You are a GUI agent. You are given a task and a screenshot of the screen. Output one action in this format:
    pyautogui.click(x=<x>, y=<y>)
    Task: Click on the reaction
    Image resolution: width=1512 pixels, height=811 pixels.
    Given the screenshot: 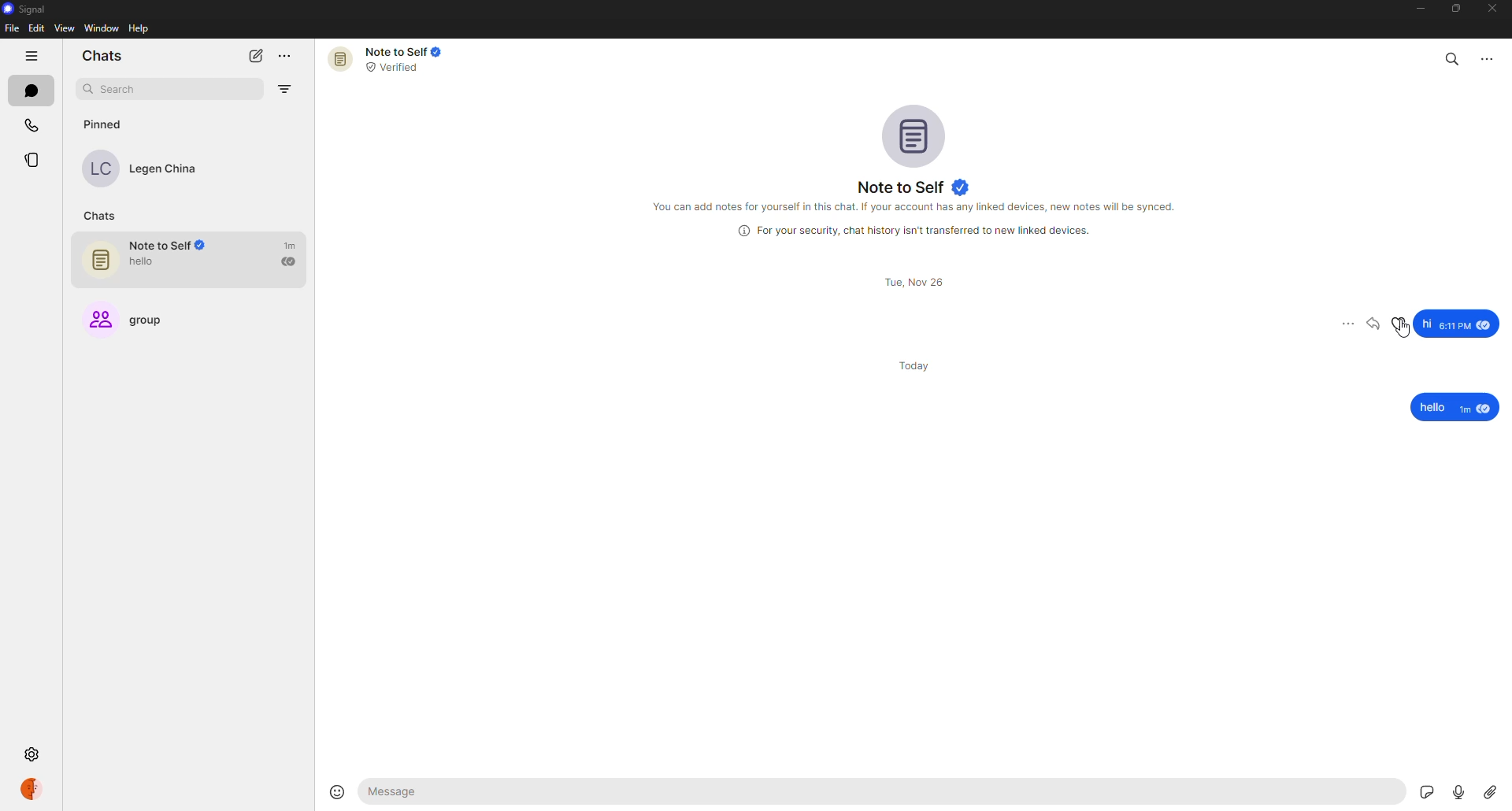 What is the action you would take?
    pyautogui.click(x=1400, y=323)
    